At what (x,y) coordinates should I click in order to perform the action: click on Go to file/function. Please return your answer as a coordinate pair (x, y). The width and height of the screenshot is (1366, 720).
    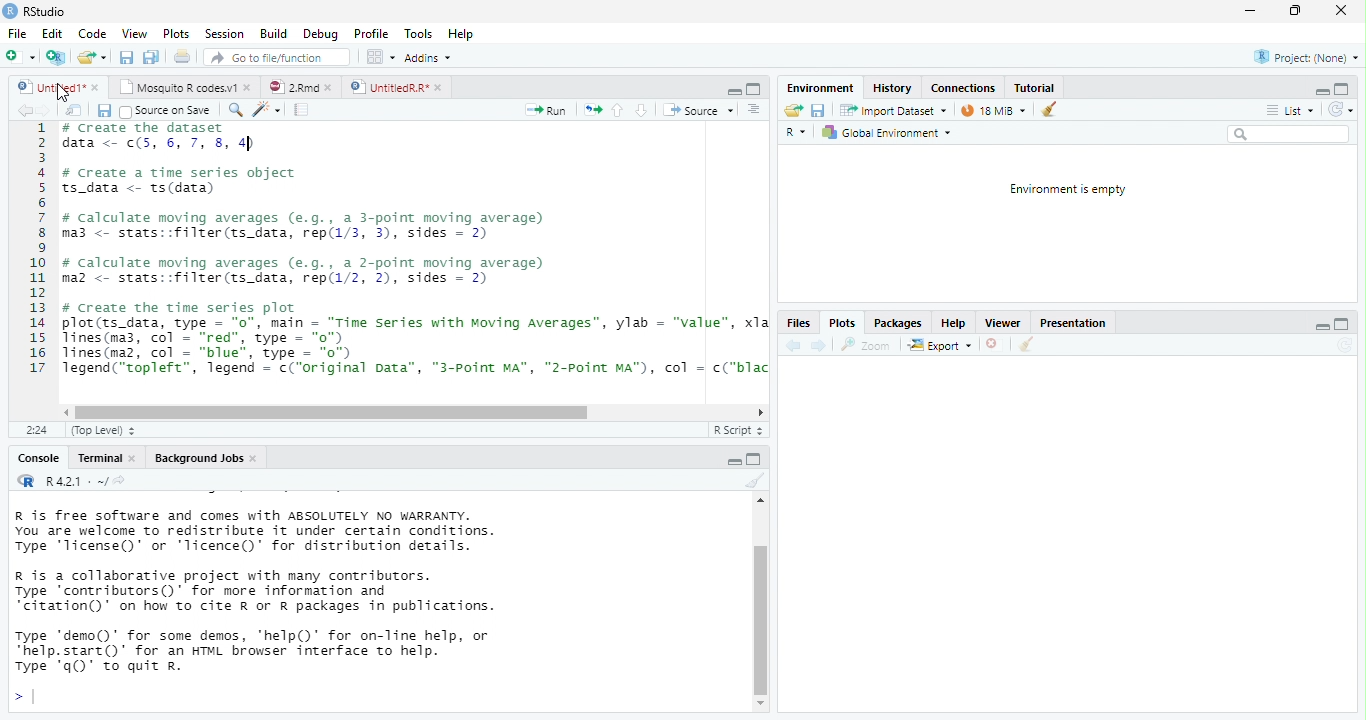
    Looking at the image, I should click on (273, 57).